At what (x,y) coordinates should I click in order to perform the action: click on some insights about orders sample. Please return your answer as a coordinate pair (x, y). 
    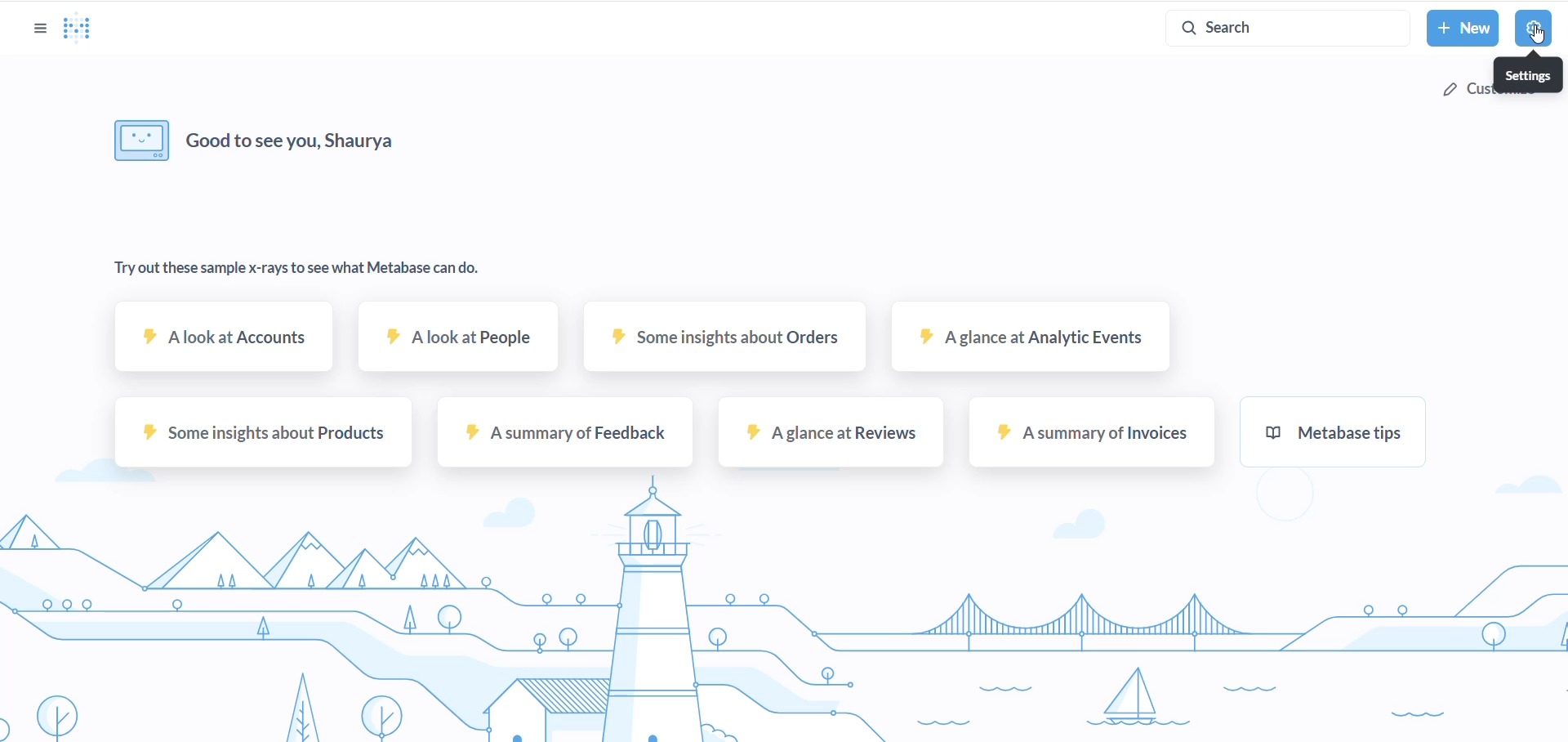
    Looking at the image, I should click on (713, 346).